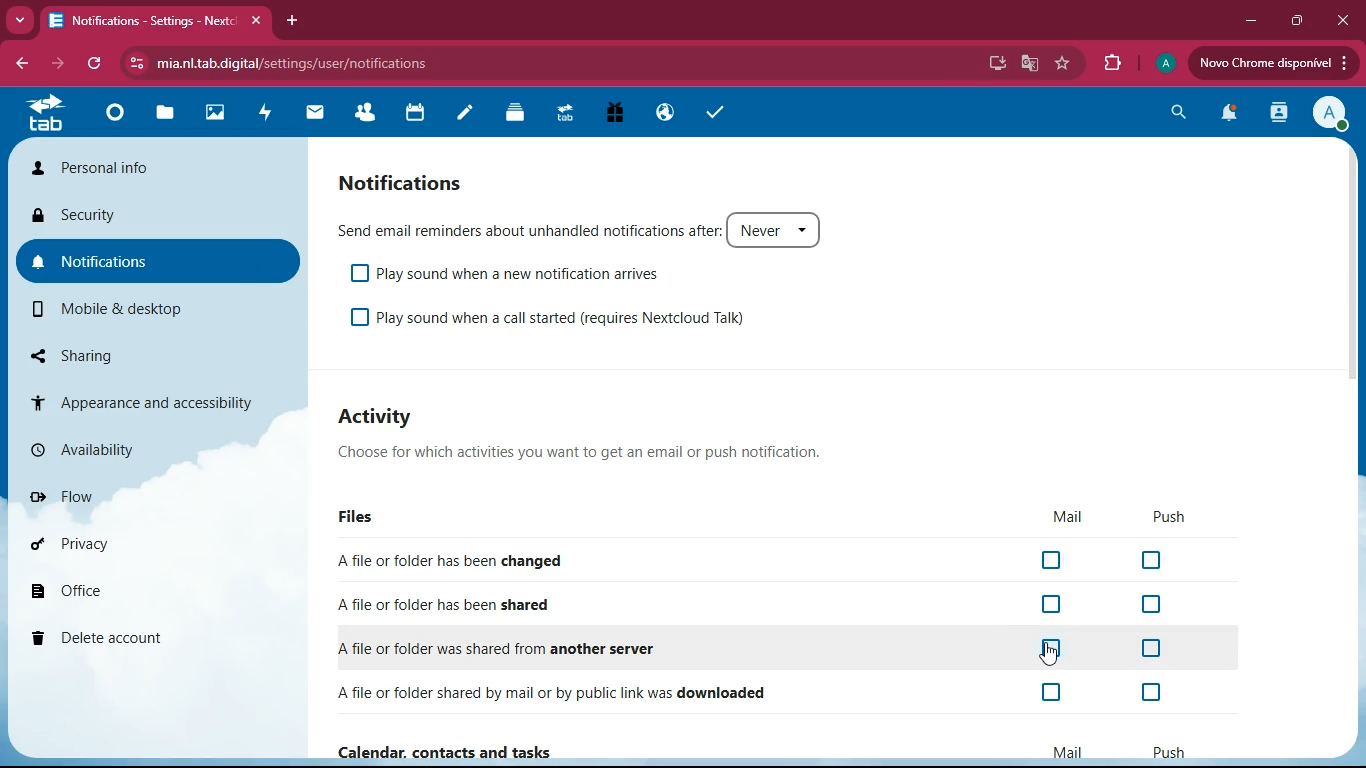 This screenshot has width=1366, height=768. What do you see at coordinates (363, 518) in the screenshot?
I see `files` at bounding box center [363, 518].